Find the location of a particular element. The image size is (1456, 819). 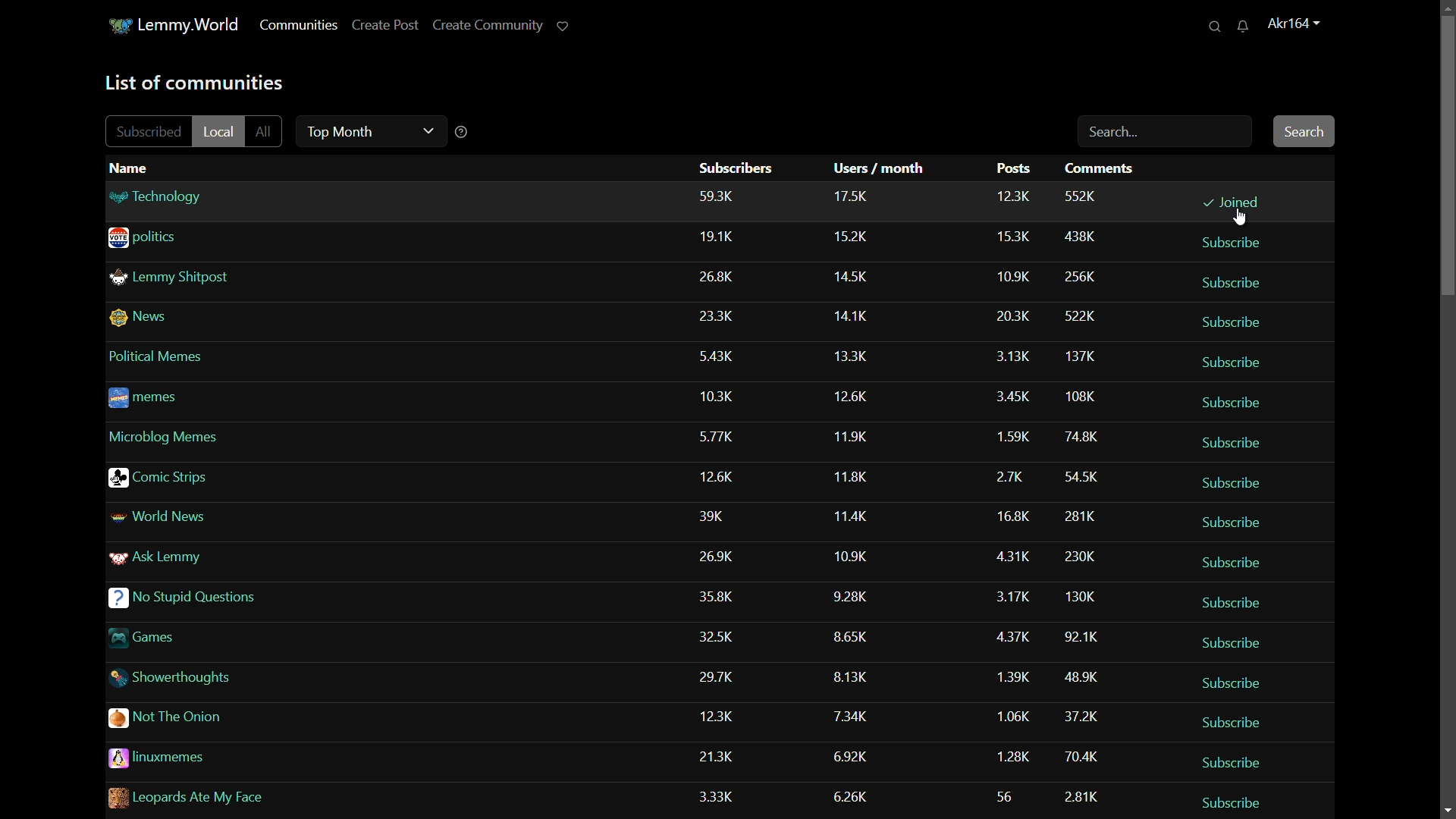

communities name is located at coordinates (235, 401).